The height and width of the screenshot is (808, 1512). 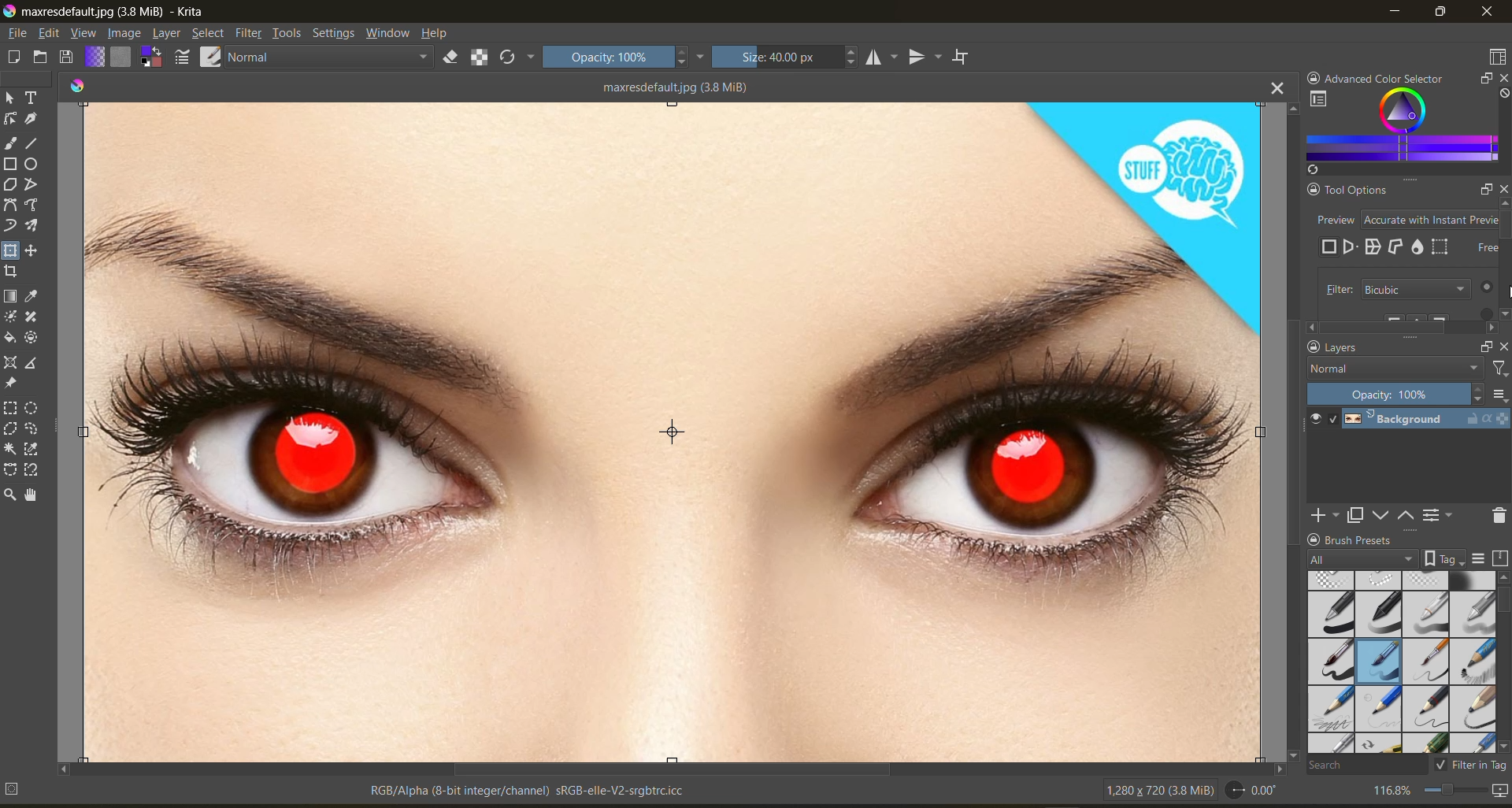 What do you see at coordinates (1397, 394) in the screenshot?
I see `opacity` at bounding box center [1397, 394].